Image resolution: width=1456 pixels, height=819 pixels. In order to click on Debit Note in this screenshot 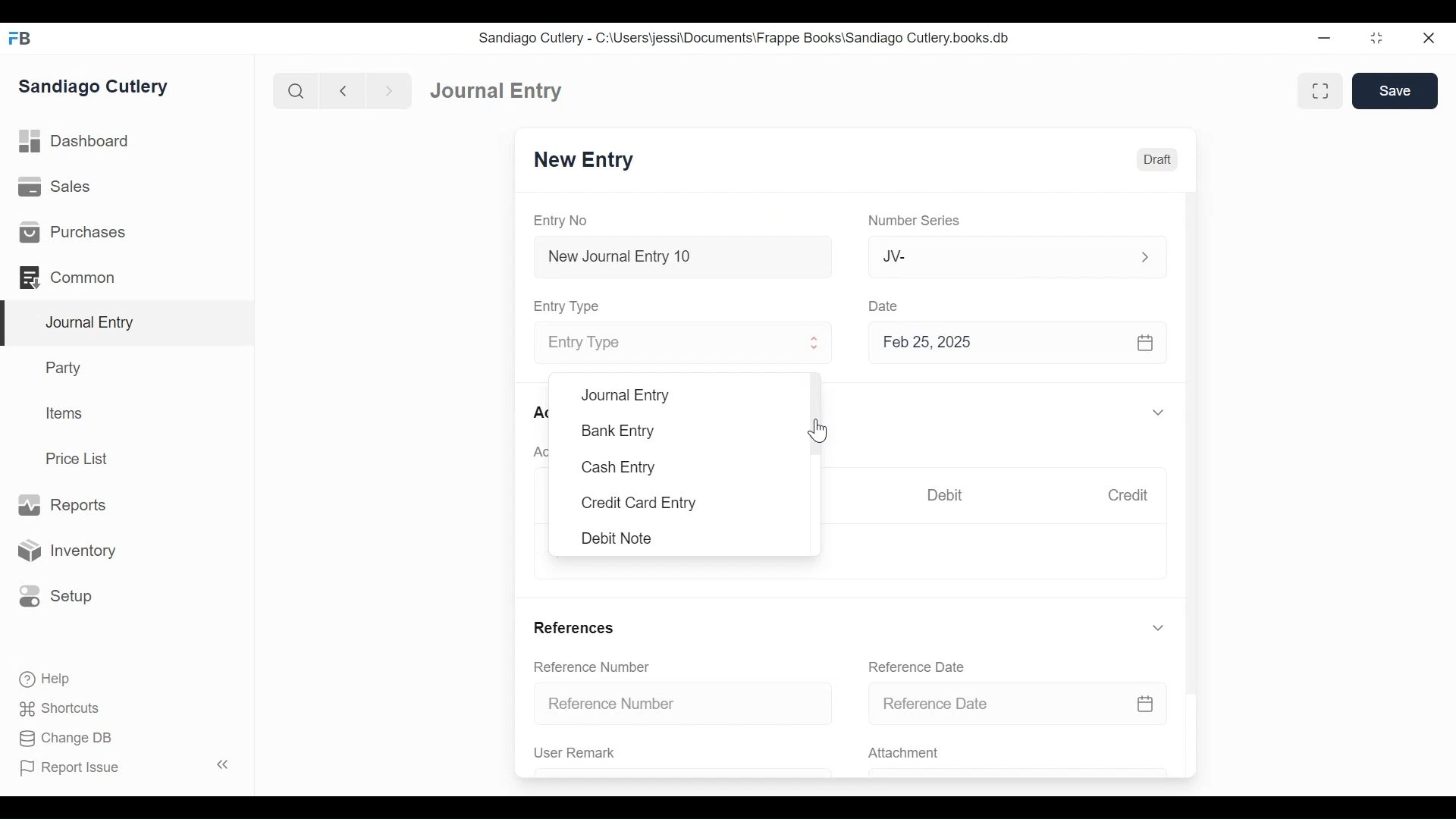, I will do `click(615, 538)`.